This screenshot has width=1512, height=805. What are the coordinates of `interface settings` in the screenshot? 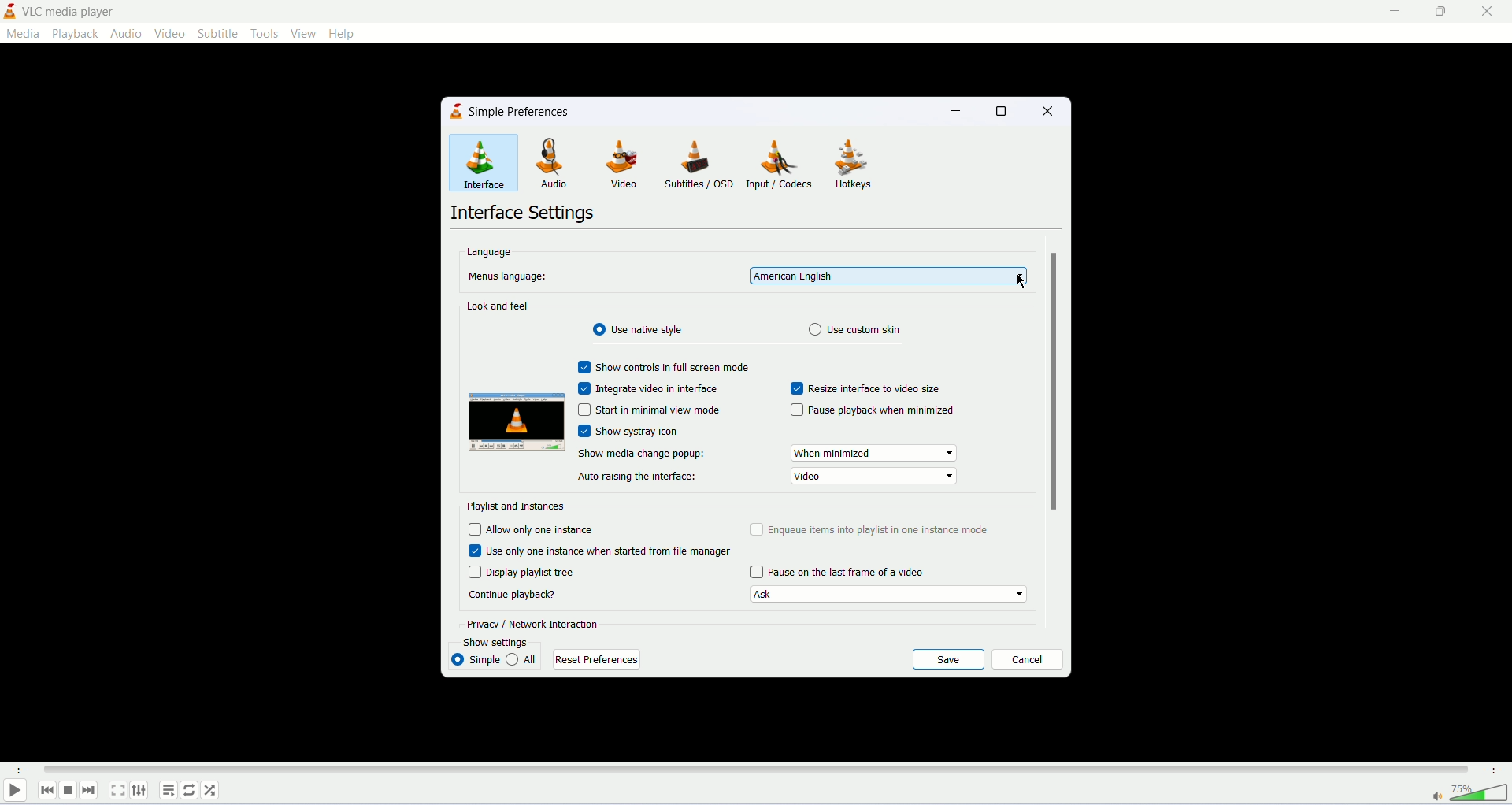 It's located at (521, 214).